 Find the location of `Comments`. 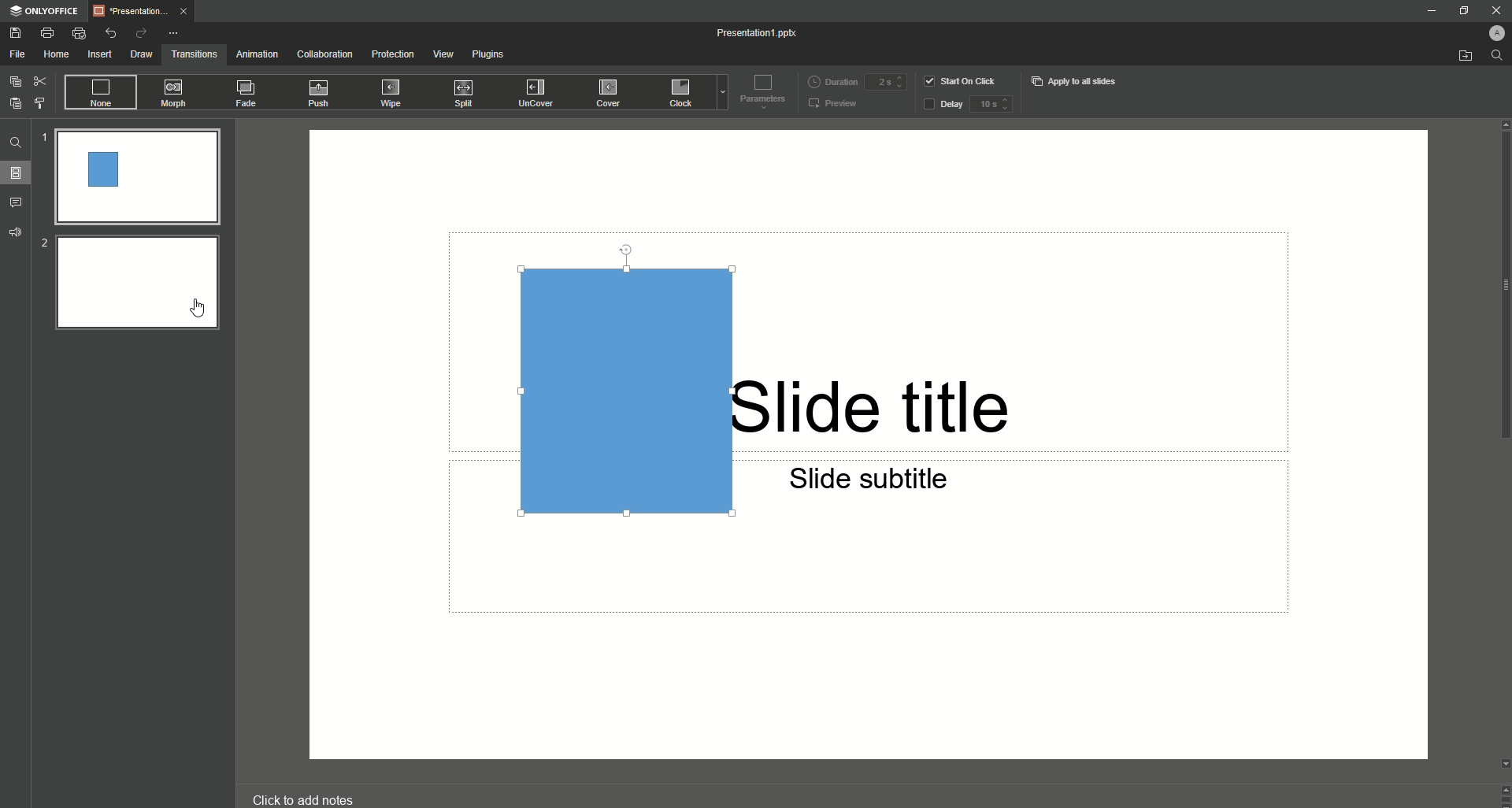

Comments is located at coordinates (20, 203).